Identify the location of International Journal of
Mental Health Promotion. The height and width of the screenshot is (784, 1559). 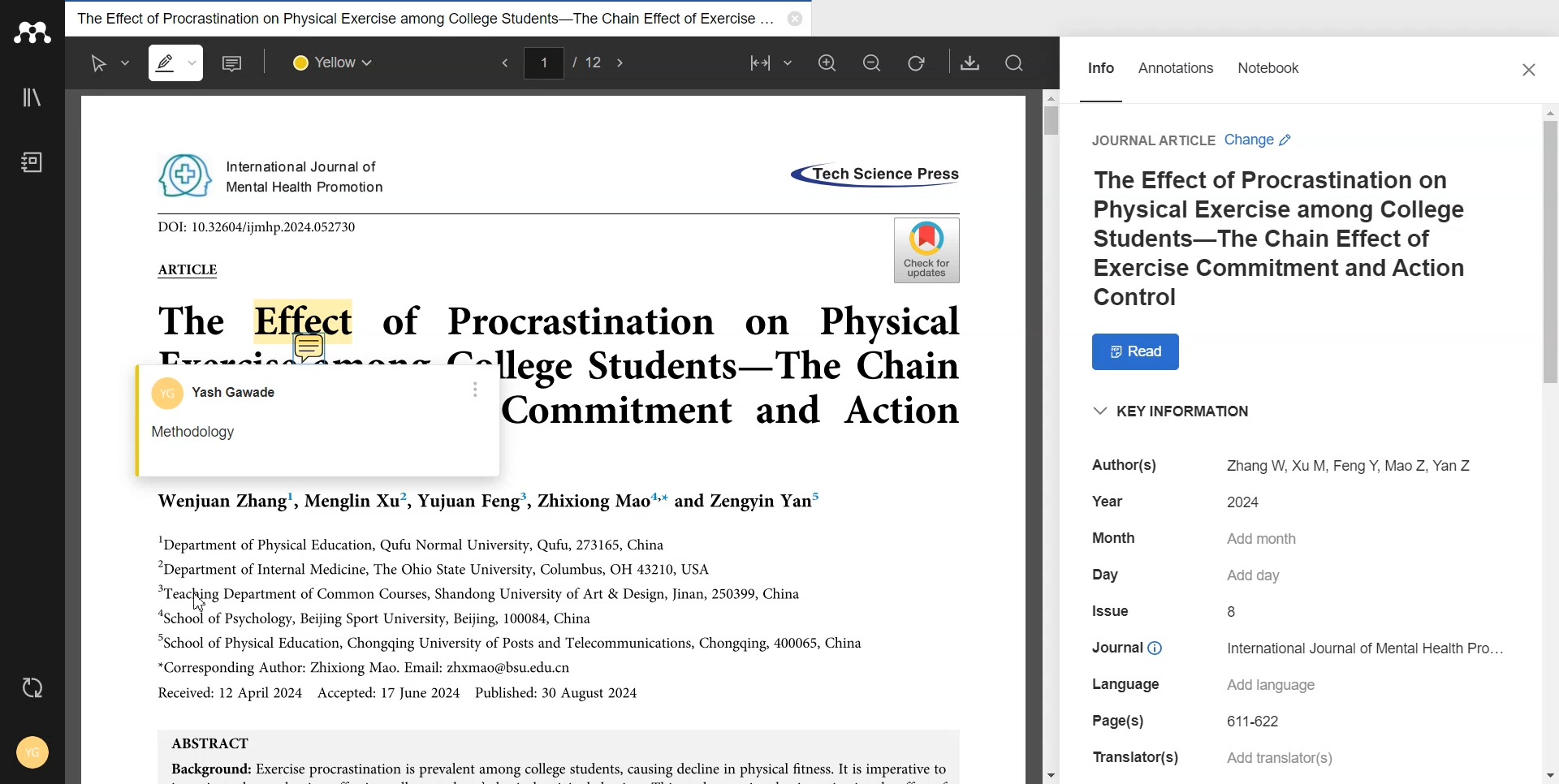
(274, 174).